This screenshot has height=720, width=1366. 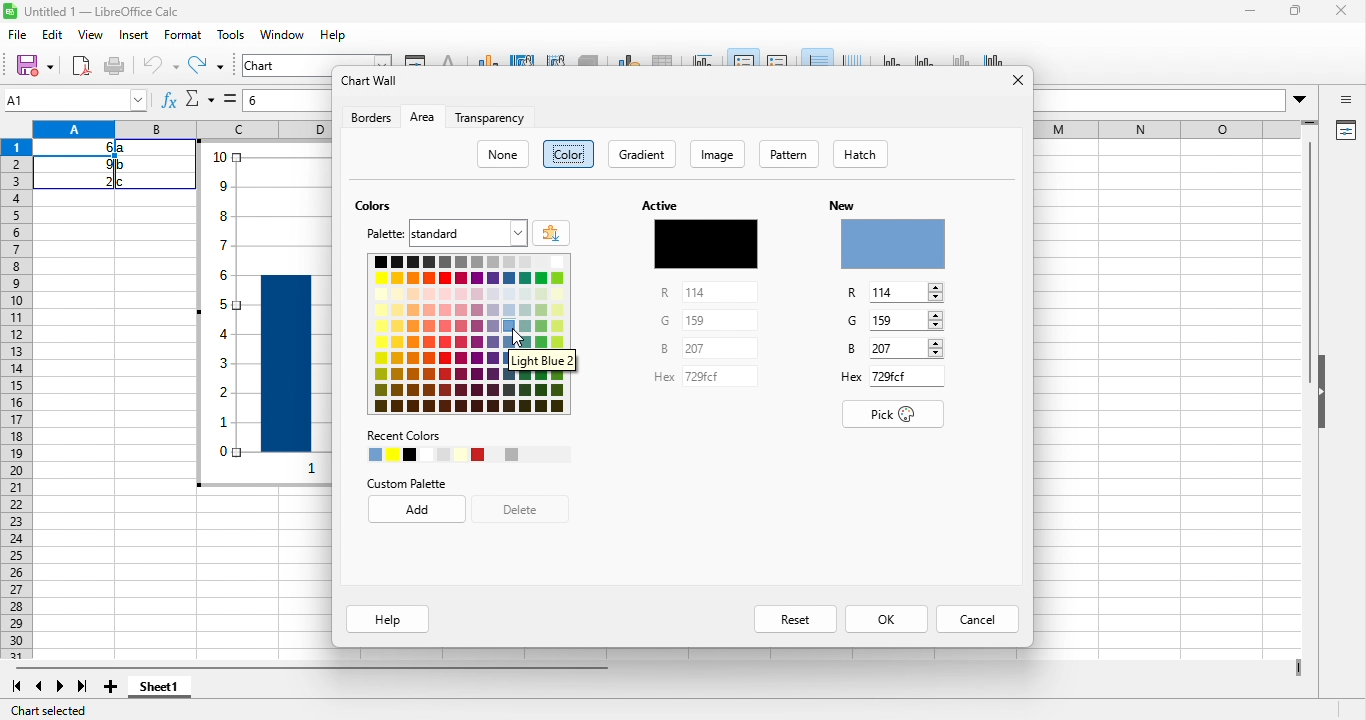 What do you see at coordinates (1347, 101) in the screenshot?
I see `sidebar open or close` at bounding box center [1347, 101].